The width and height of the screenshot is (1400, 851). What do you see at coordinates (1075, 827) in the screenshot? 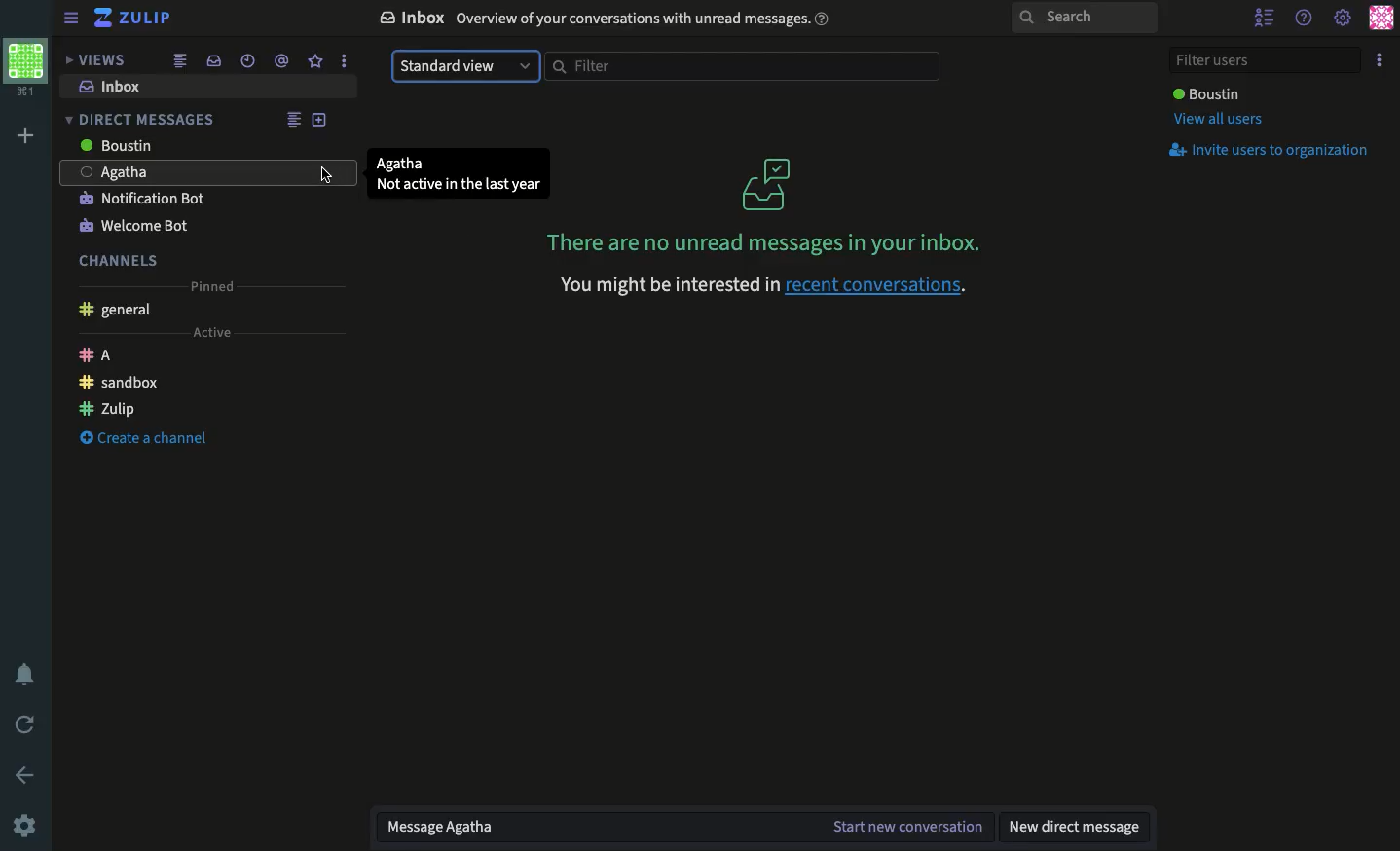
I see `New DM` at bounding box center [1075, 827].